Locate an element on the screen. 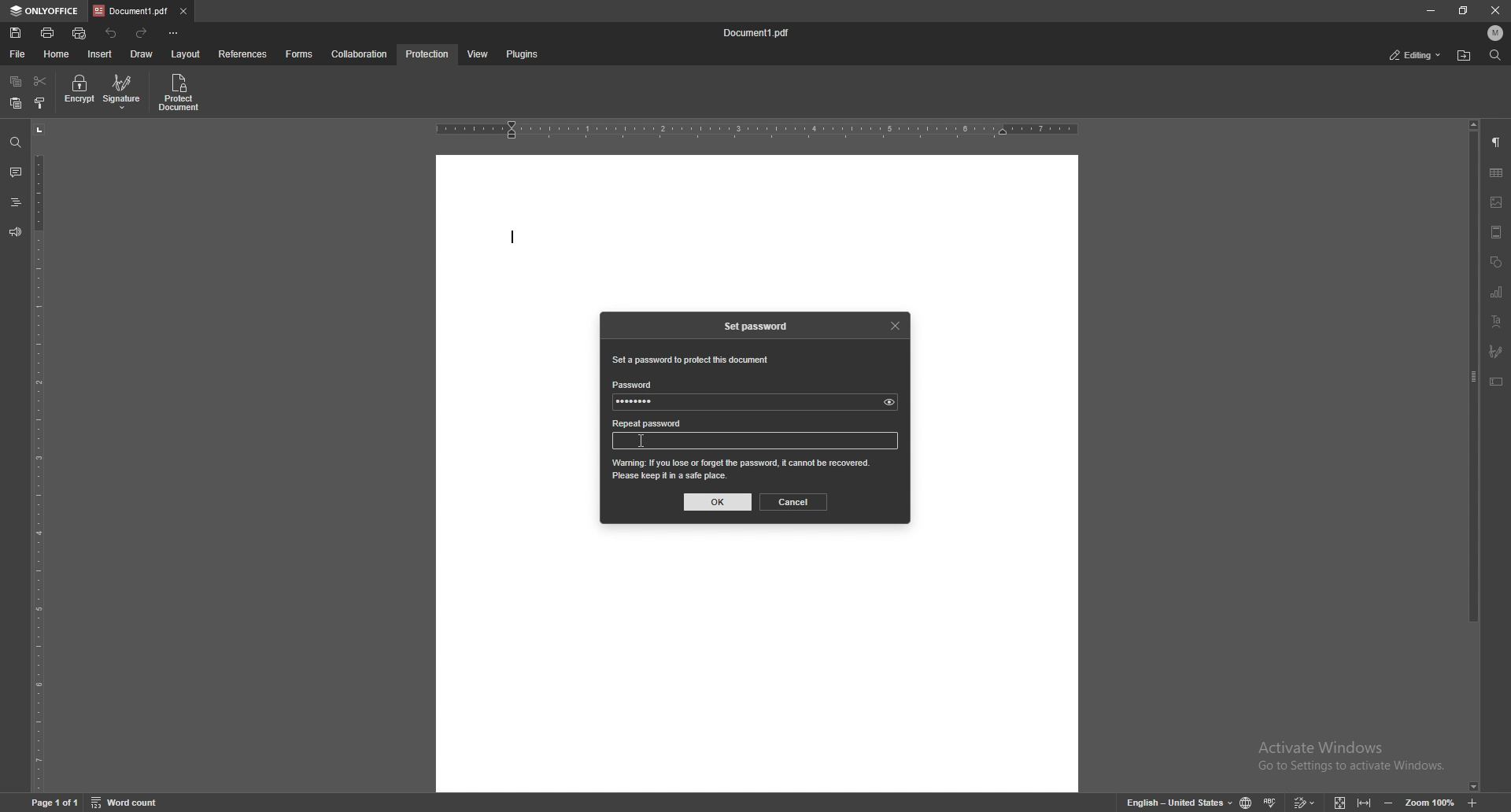 The height and width of the screenshot is (812, 1511). tab is located at coordinates (131, 12).